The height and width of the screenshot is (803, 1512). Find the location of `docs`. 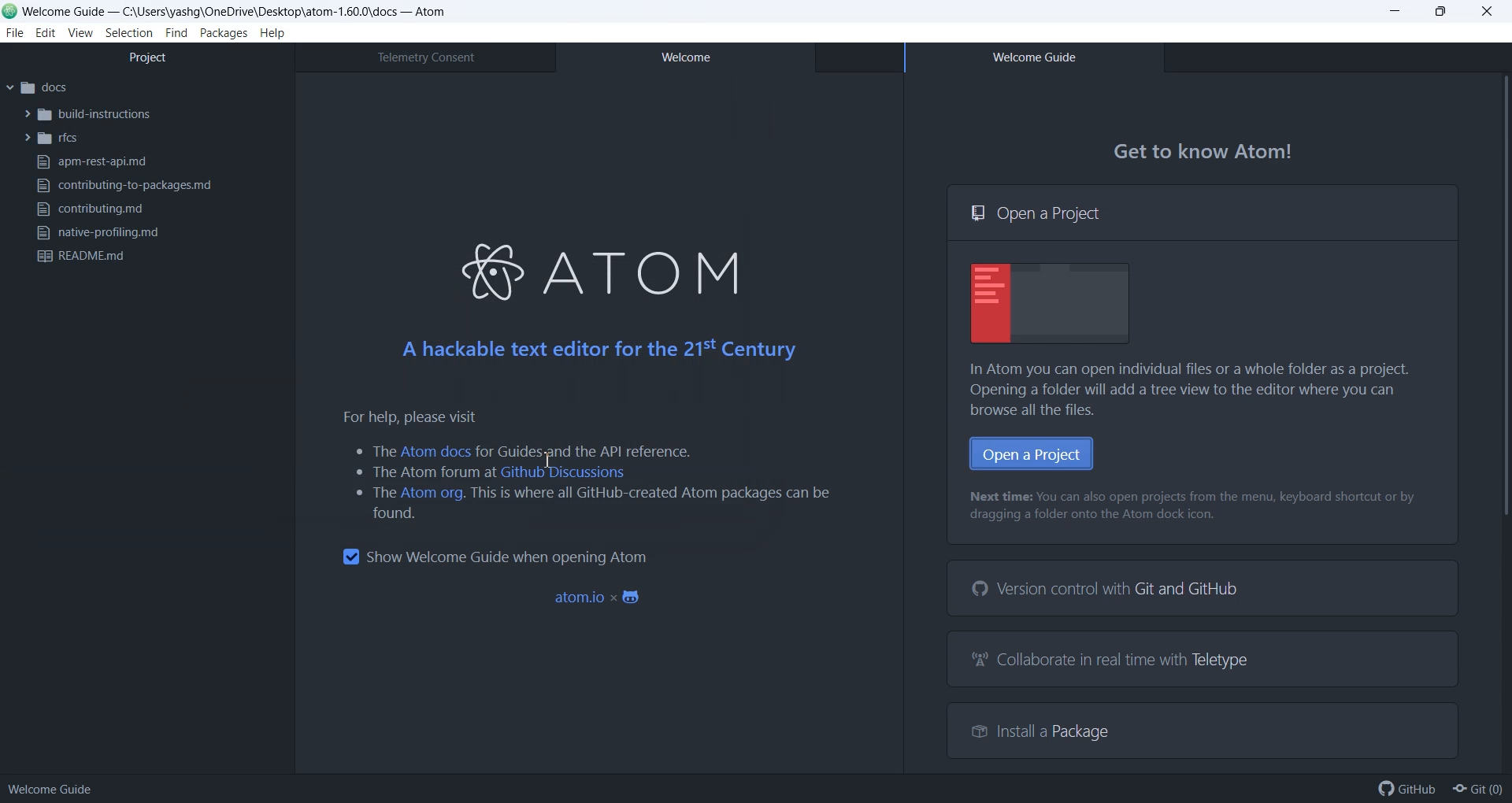

docs is located at coordinates (37, 88).